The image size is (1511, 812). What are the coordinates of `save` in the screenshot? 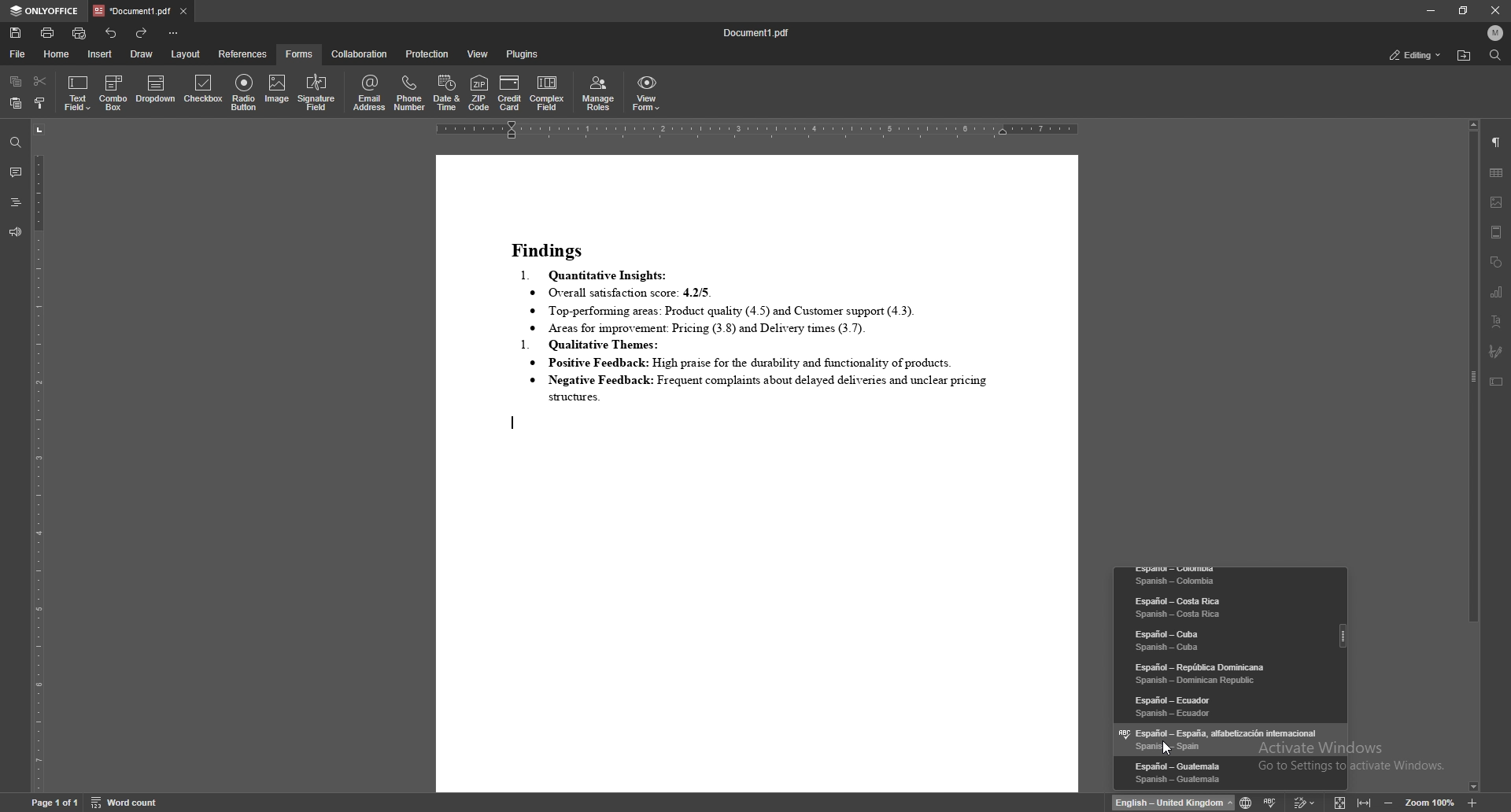 It's located at (16, 33).